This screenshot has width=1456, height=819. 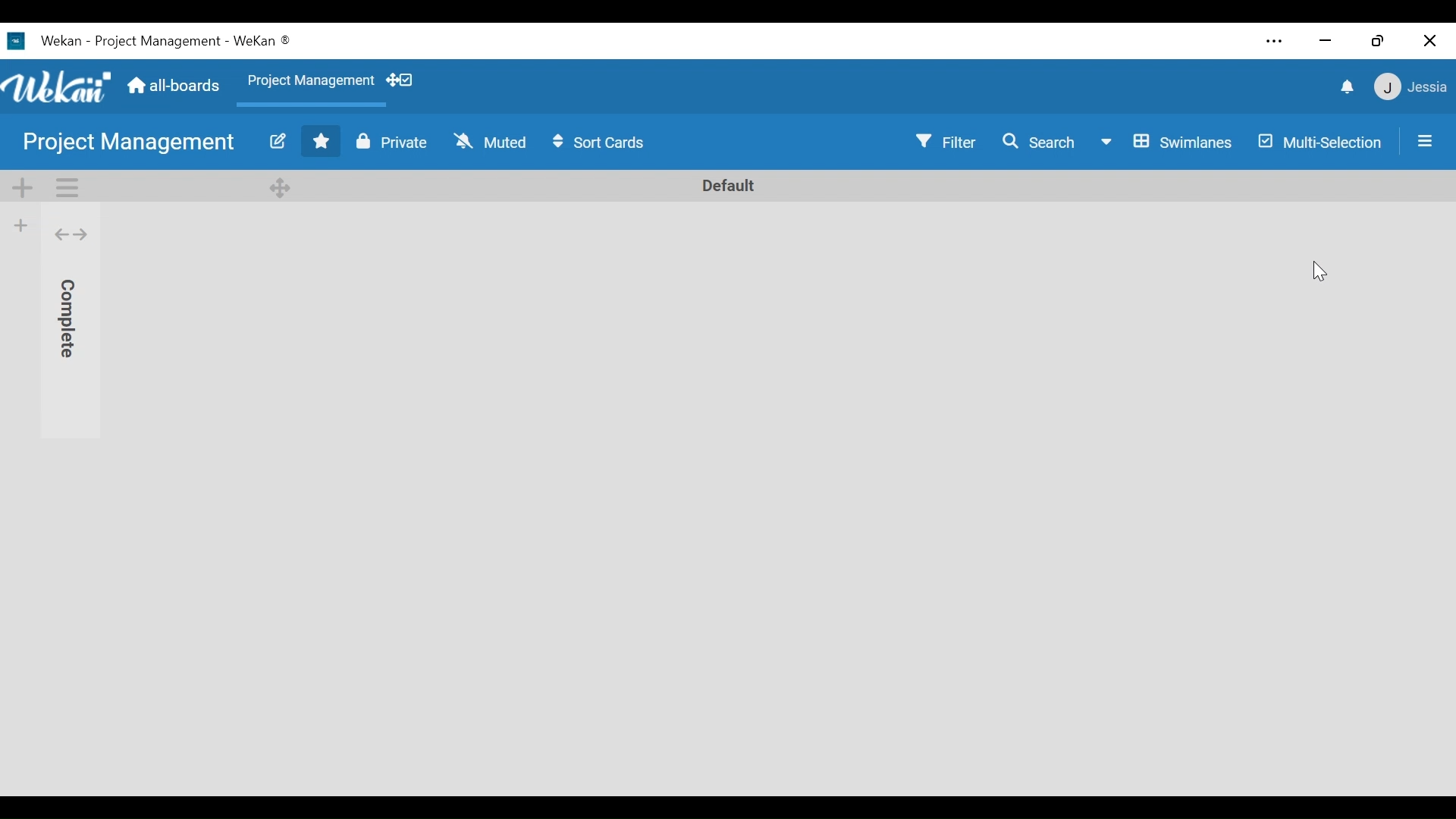 What do you see at coordinates (277, 140) in the screenshot?
I see `Edit ` at bounding box center [277, 140].